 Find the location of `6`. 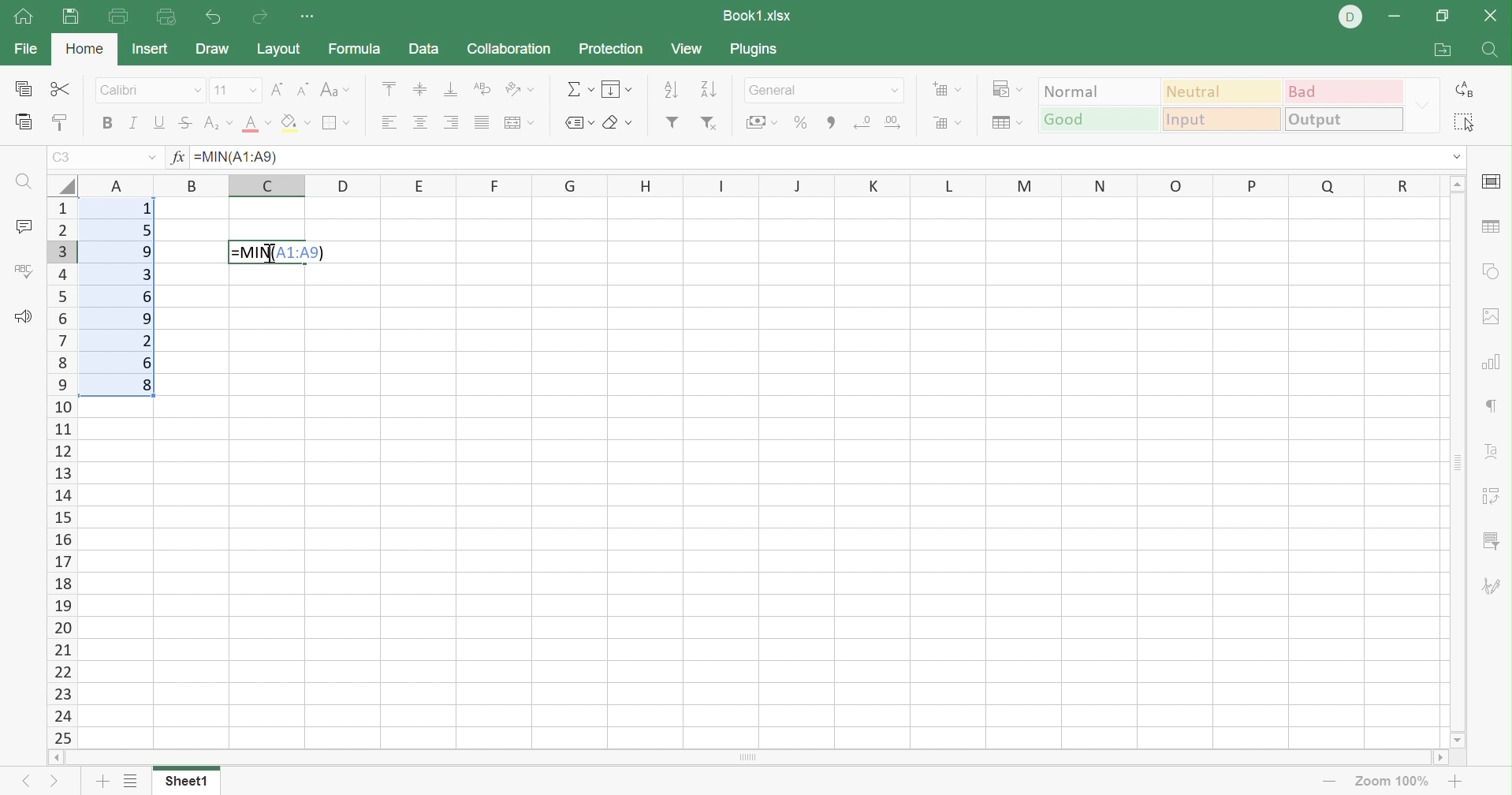

6 is located at coordinates (148, 297).